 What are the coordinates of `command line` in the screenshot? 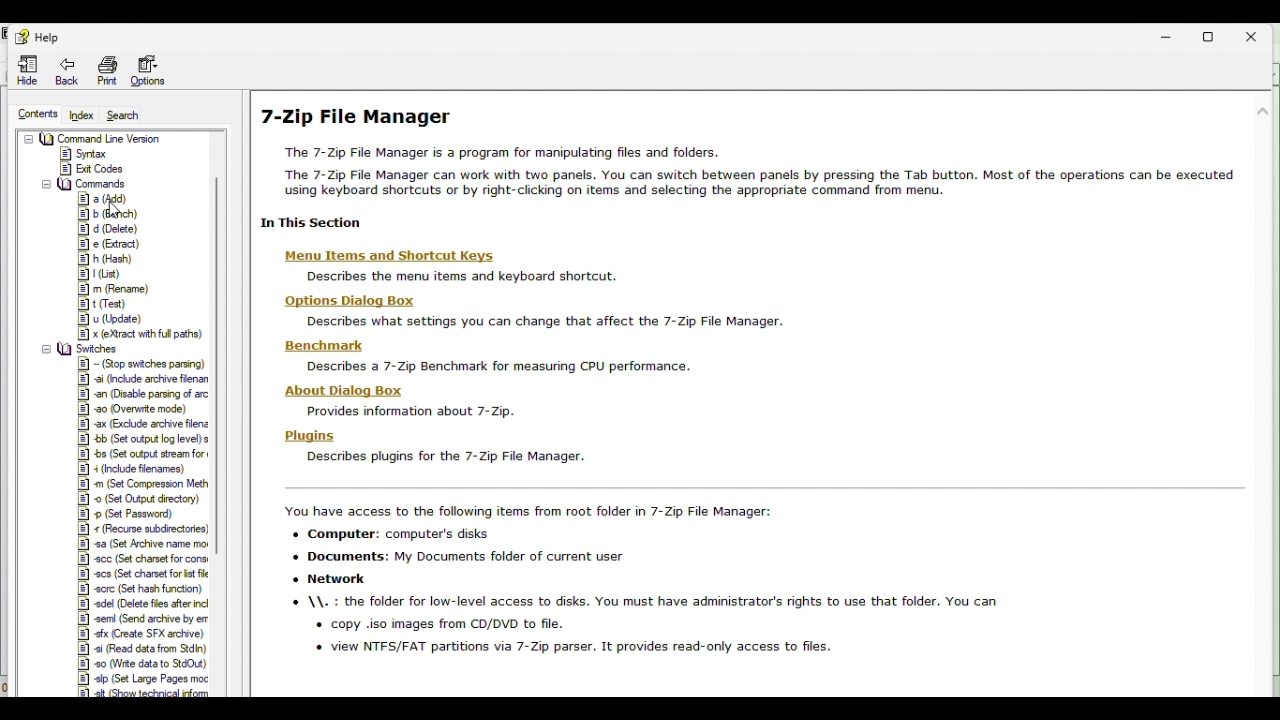 It's located at (92, 138).